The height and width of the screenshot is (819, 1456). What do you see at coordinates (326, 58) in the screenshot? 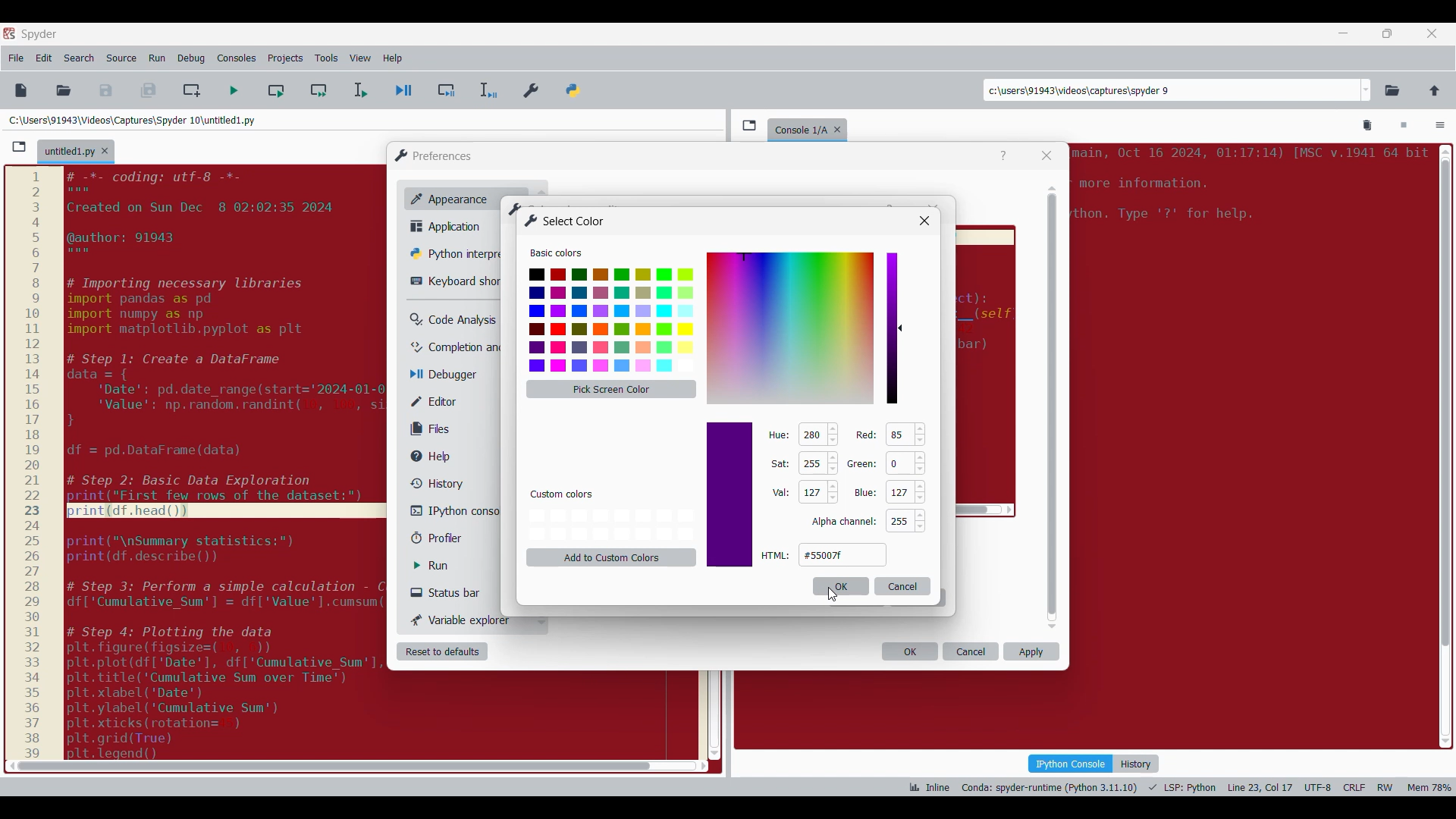
I see `Tools menu` at bounding box center [326, 58].